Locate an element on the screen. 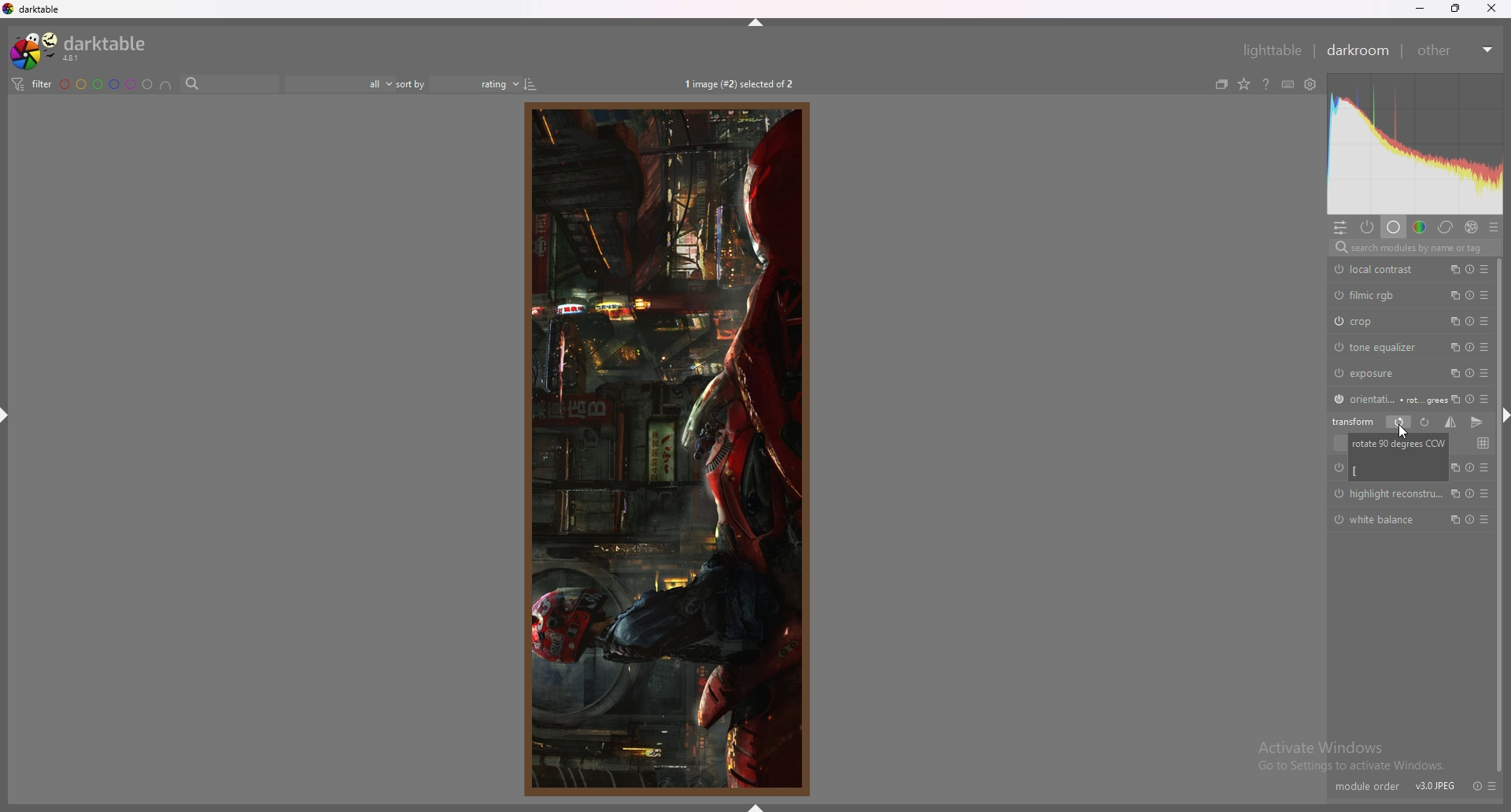 The width and height of the screenshot is (1511, 812). search bar is located at coordinates (230, 84).